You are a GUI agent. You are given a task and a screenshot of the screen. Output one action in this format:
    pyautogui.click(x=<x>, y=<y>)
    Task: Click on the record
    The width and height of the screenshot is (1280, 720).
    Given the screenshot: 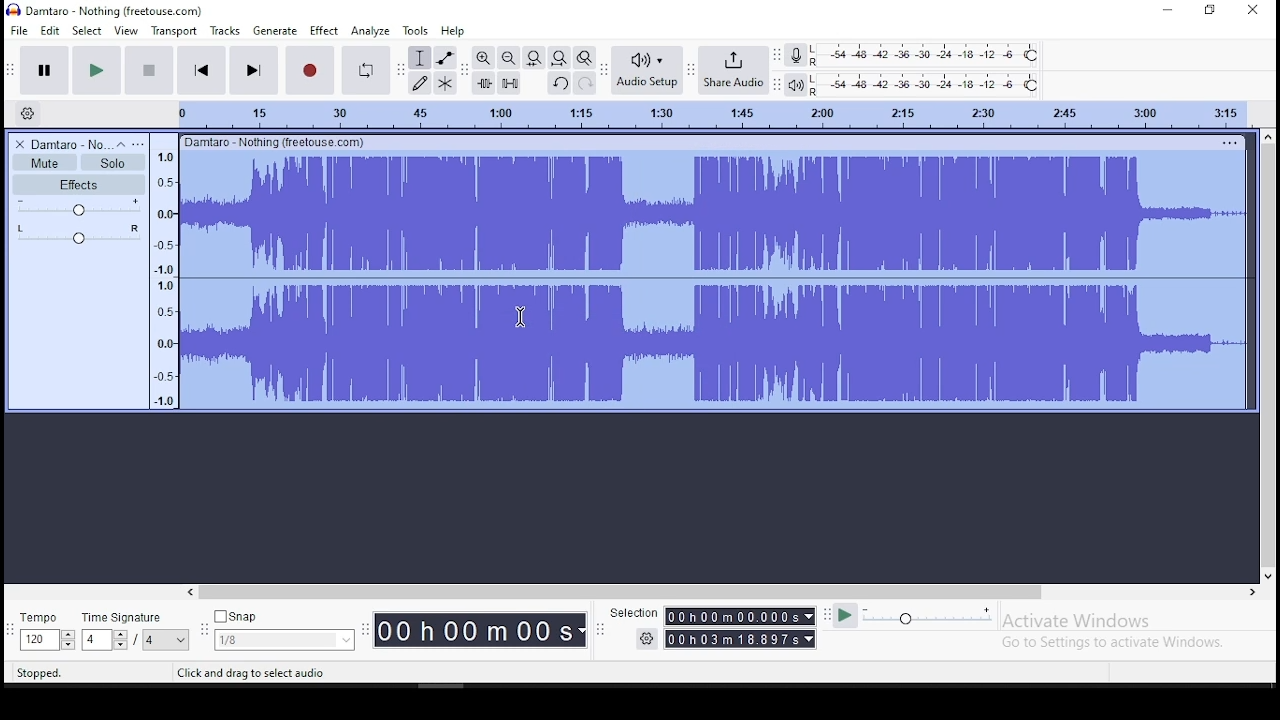 What is the action you would take?
    pyautogui.click(x=309, y=69)
    